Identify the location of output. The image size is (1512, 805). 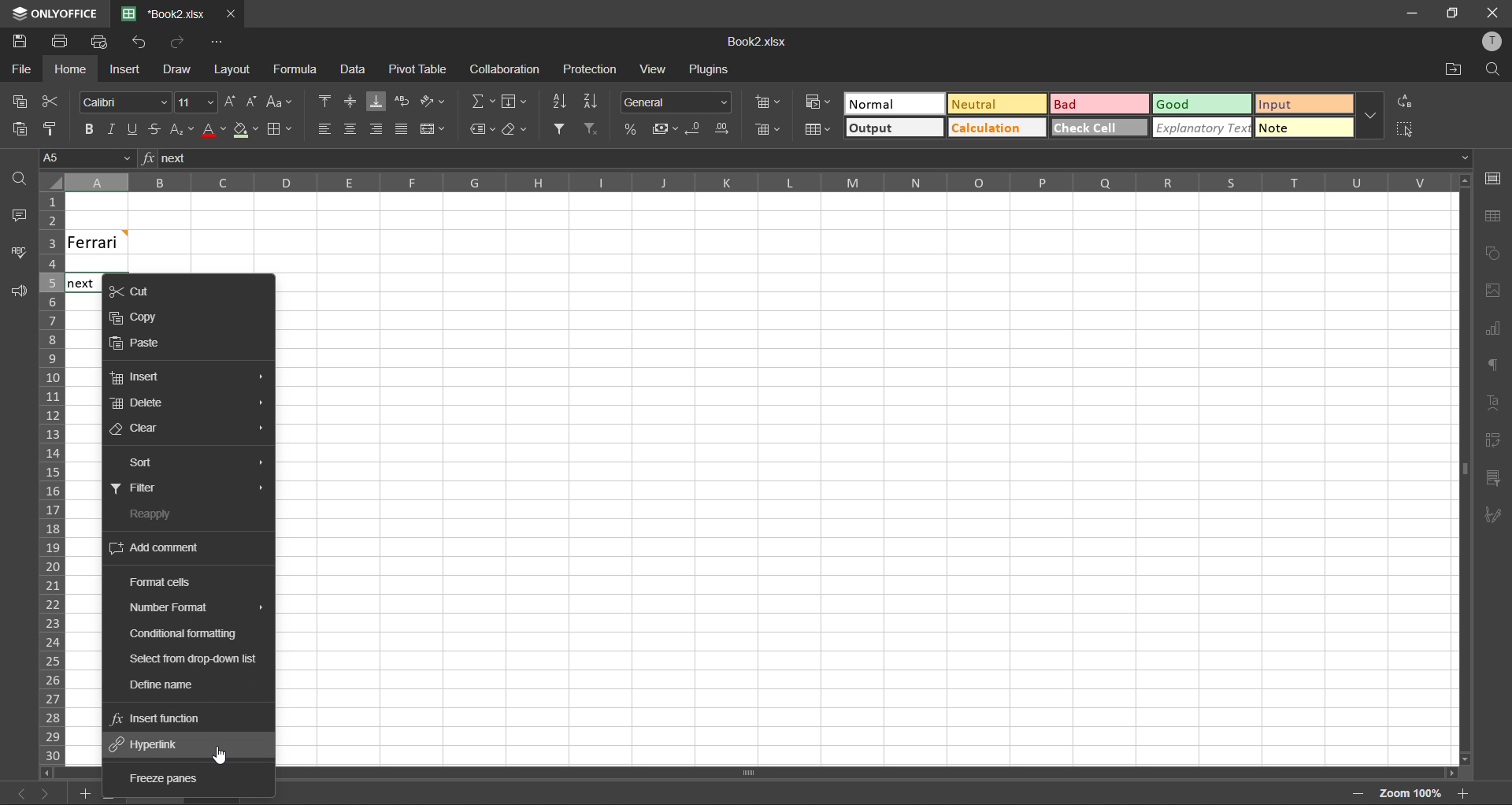
(893, 129).